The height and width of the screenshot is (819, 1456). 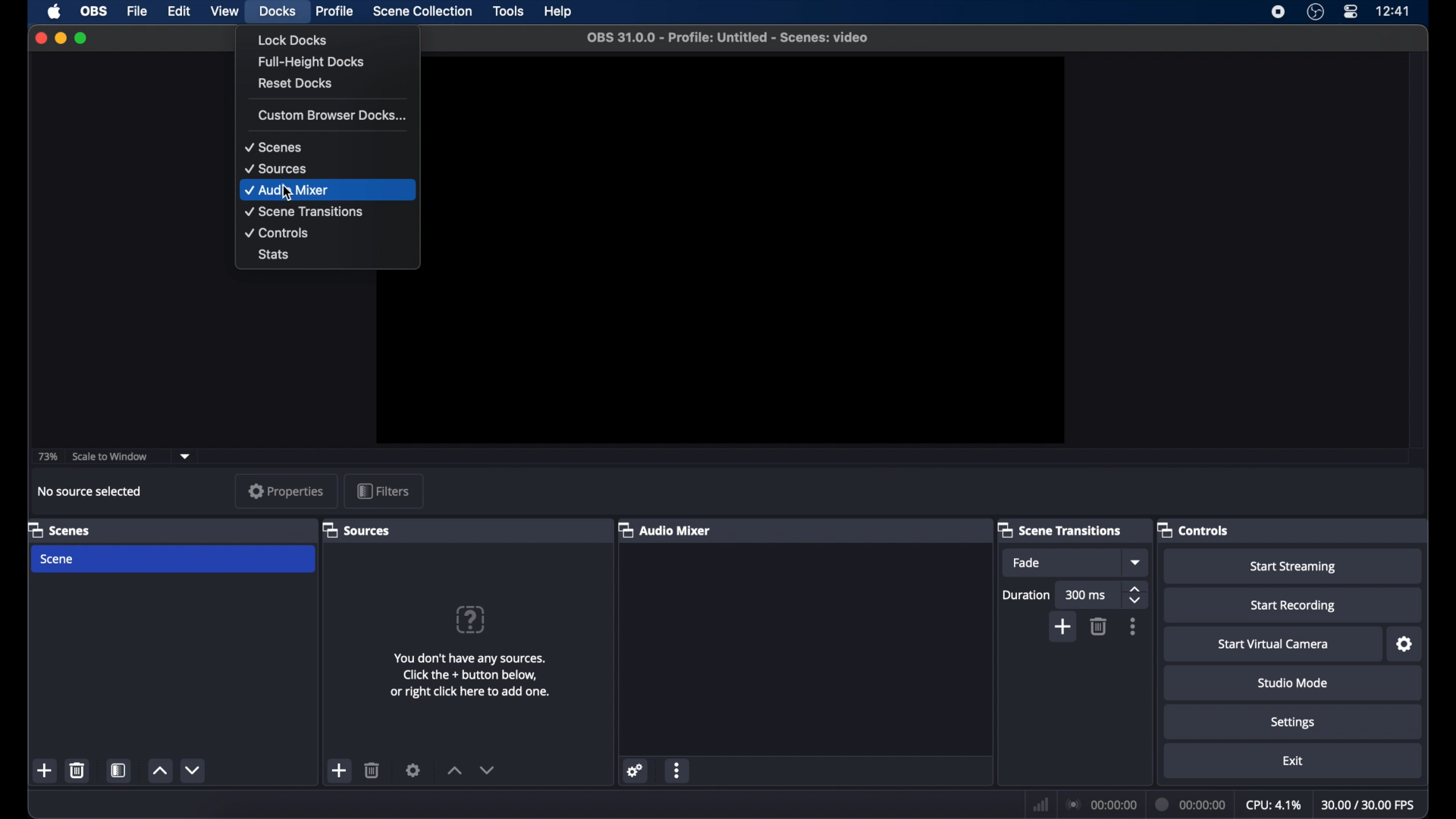 I want to click on 12:41, so click(x=1394, y=11).